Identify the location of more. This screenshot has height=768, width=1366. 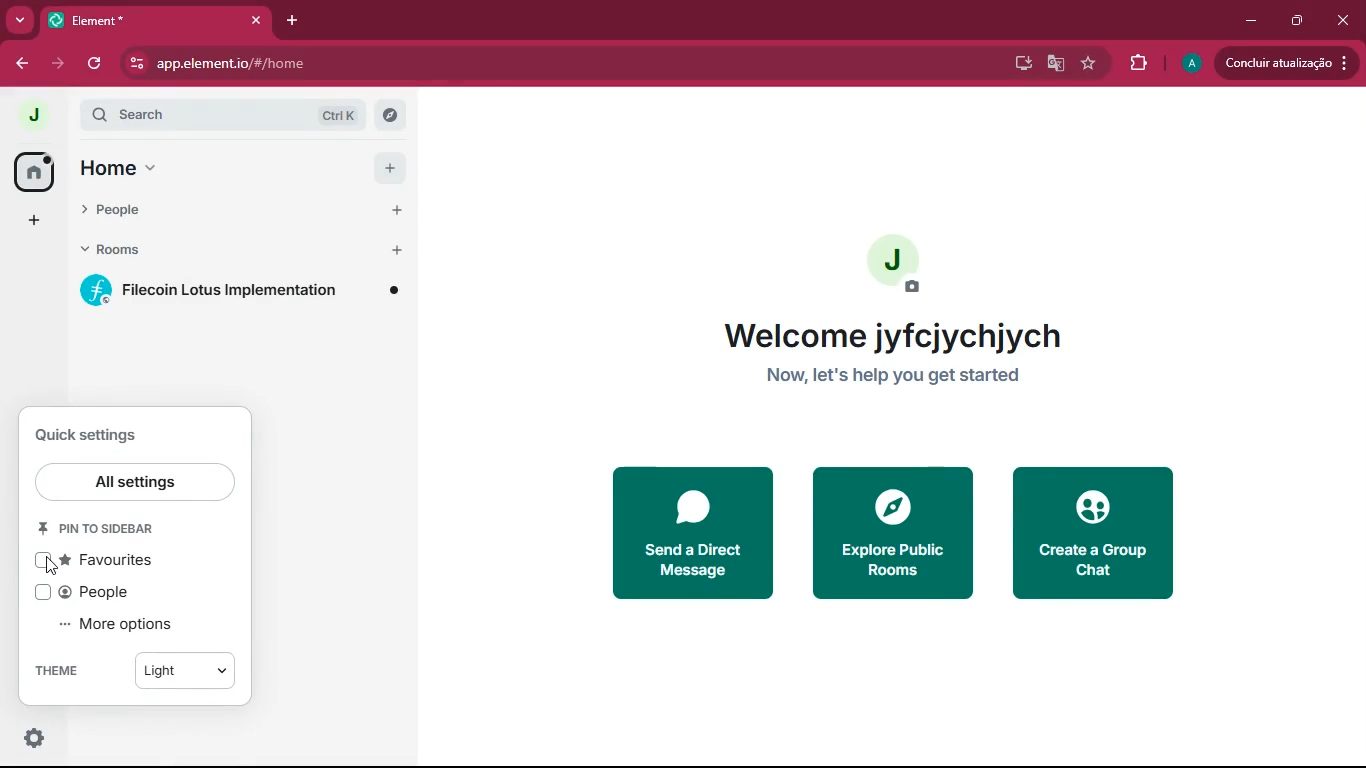
(20, 19).